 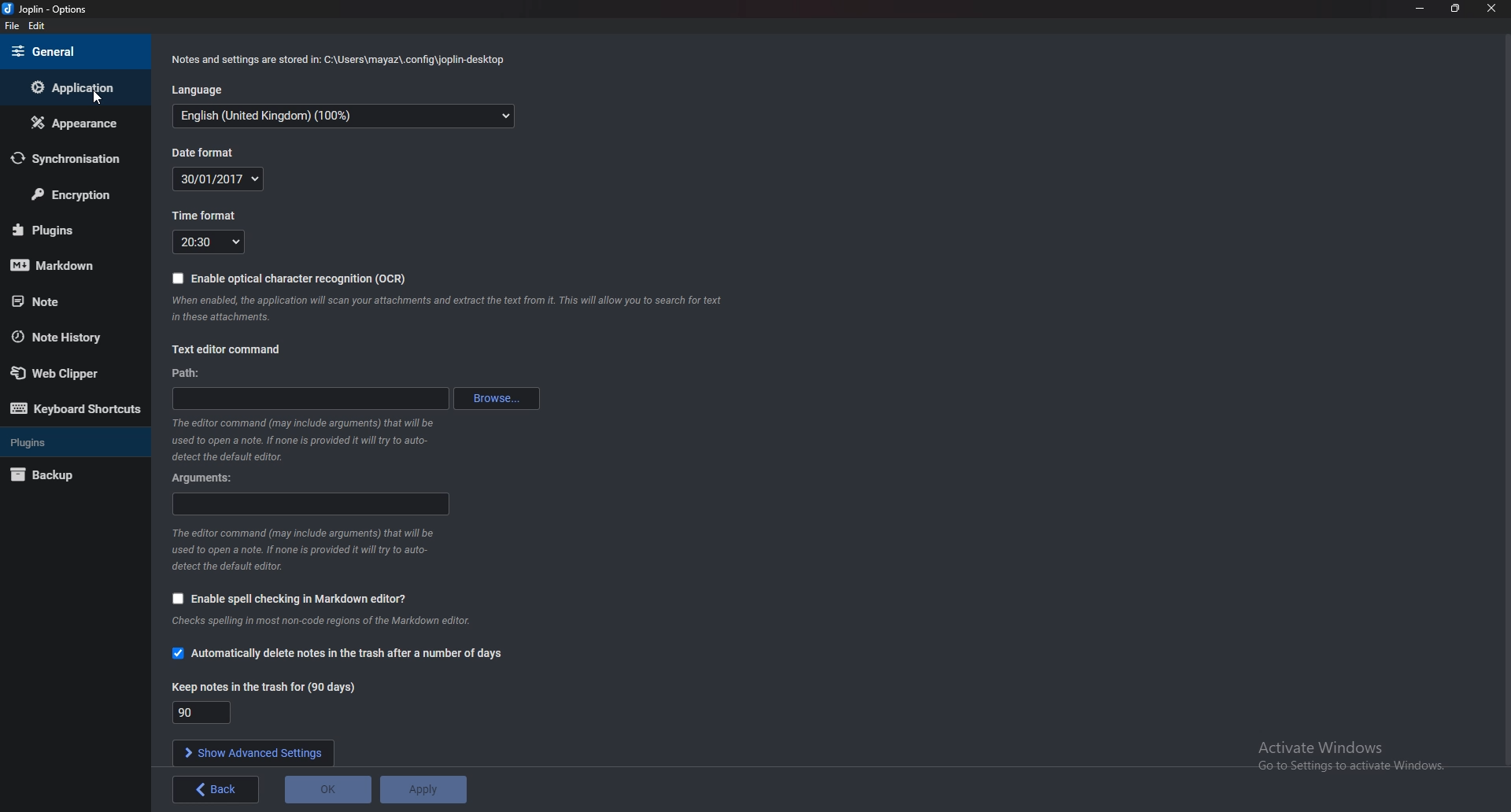 What do you see at coordinates (340, 117) in the screenshot?
I see `Language` at bounding box center [340, 117].